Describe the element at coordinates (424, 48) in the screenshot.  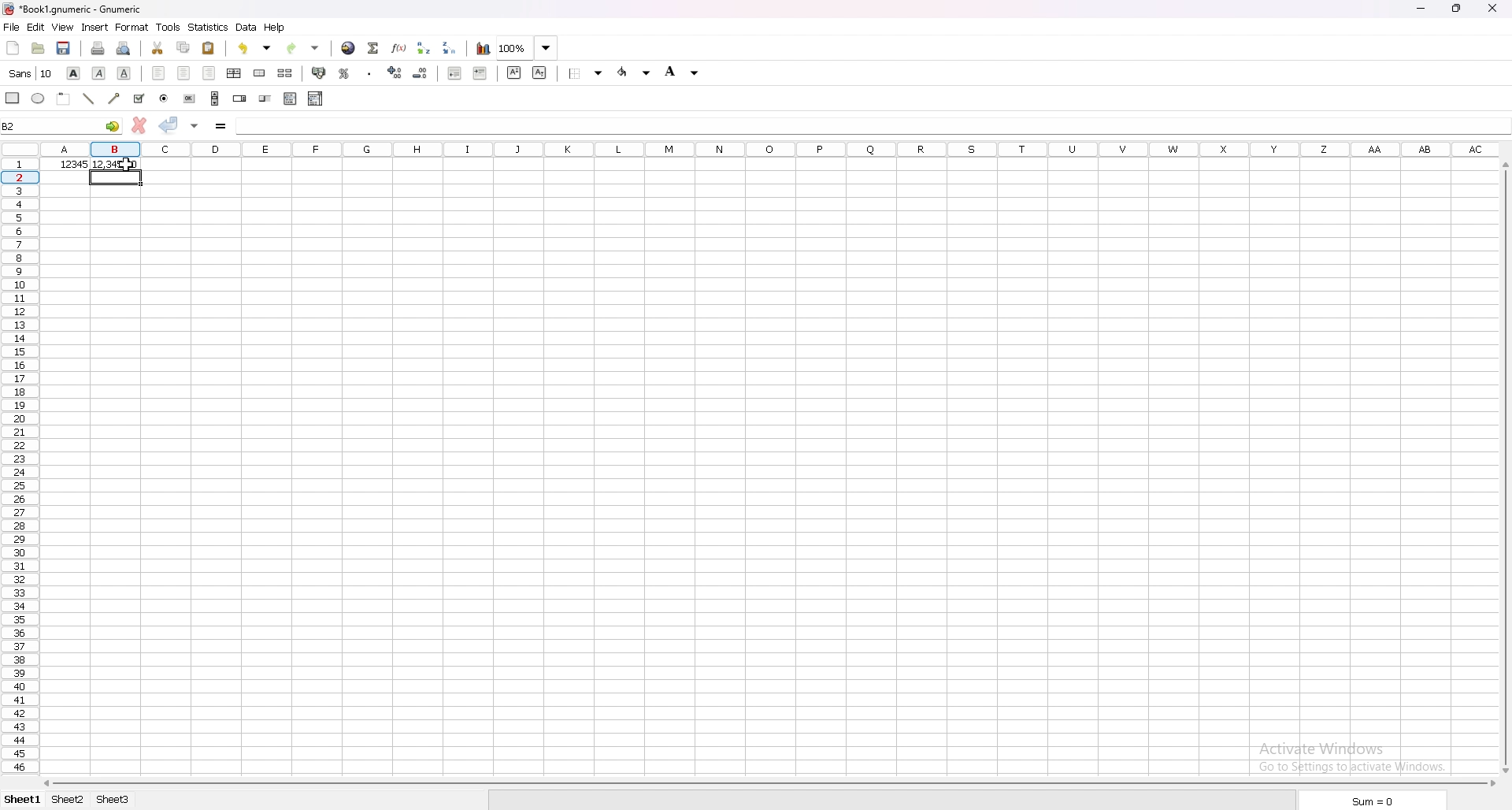
I see `sort ascending` at that location.